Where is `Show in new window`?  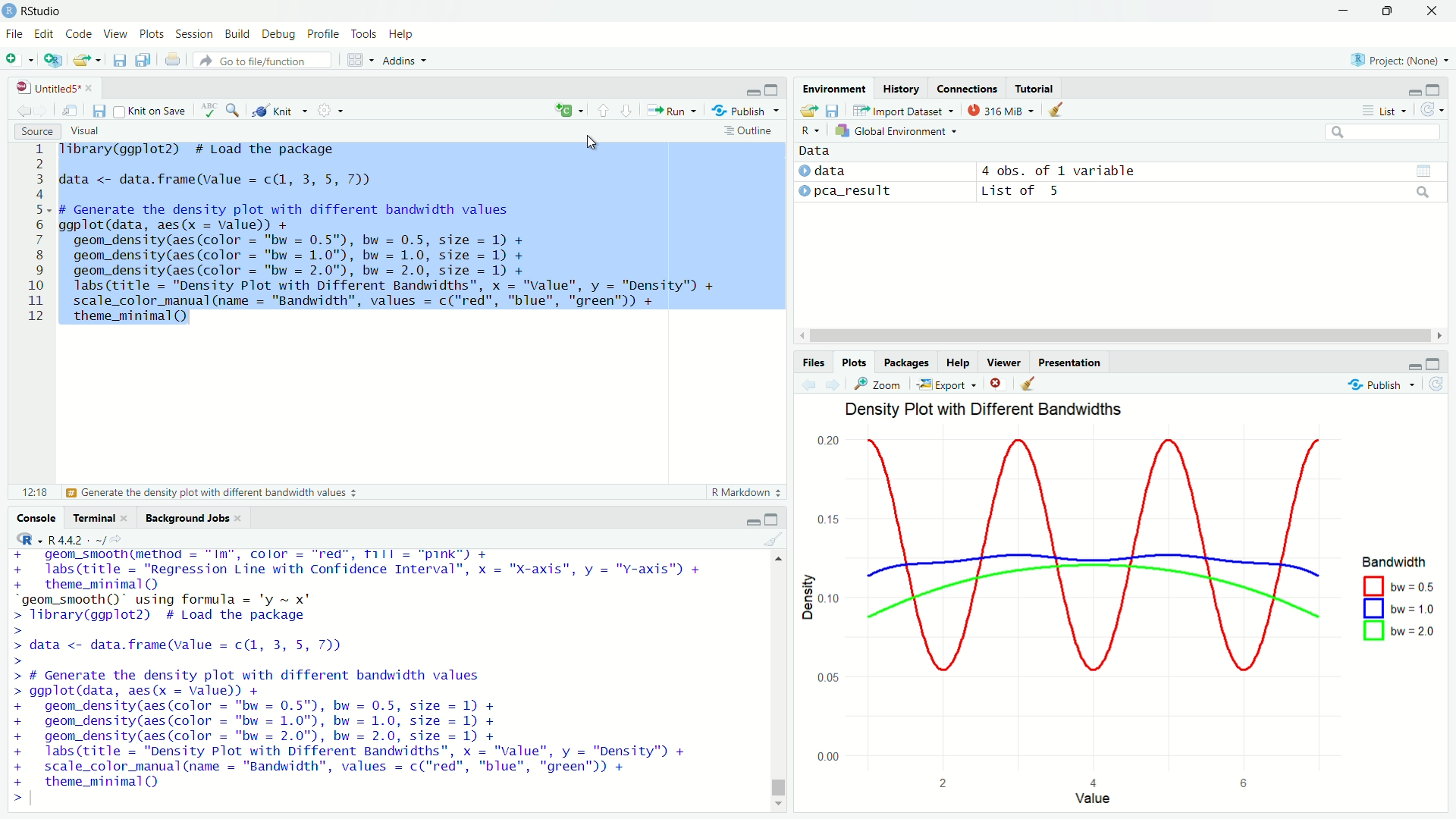 Show in new window is located at coordinates (70, 110).